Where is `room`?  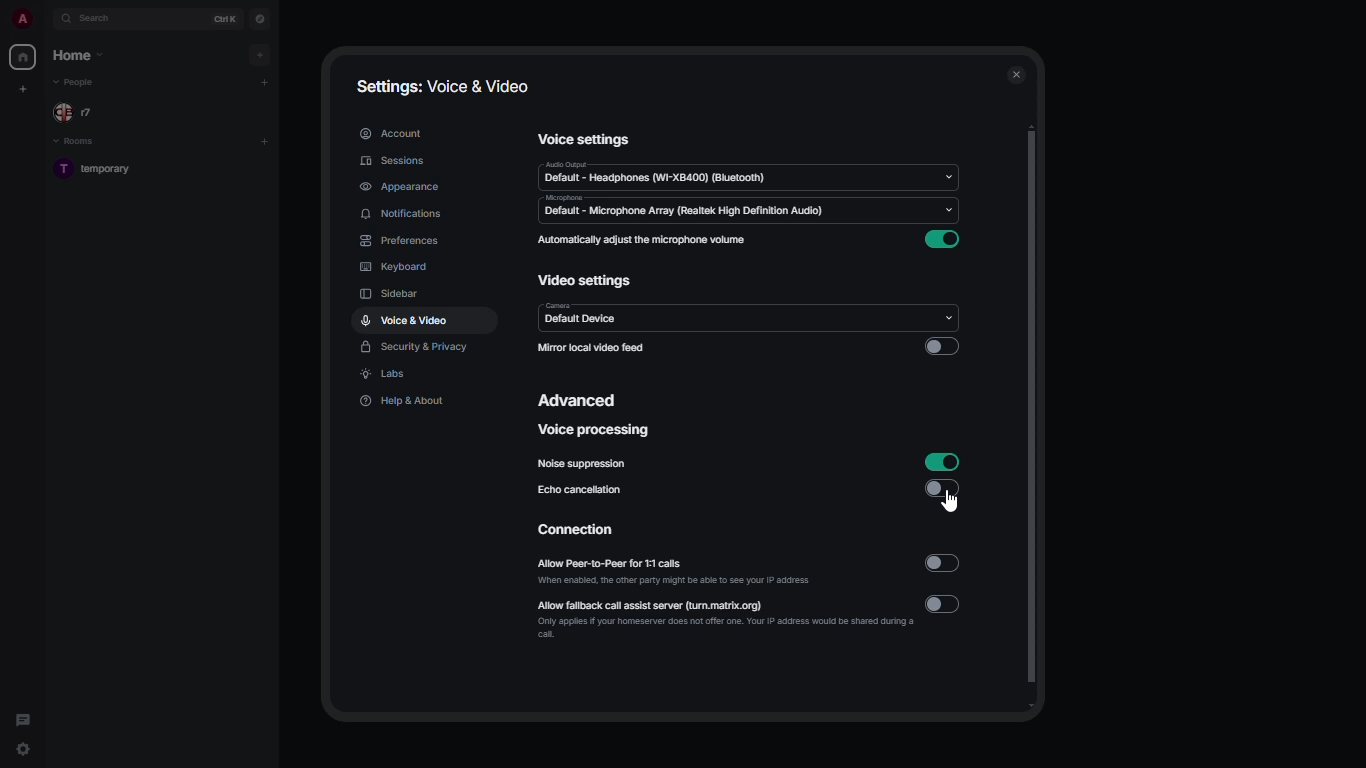 room is located at coordinates (98, 170).